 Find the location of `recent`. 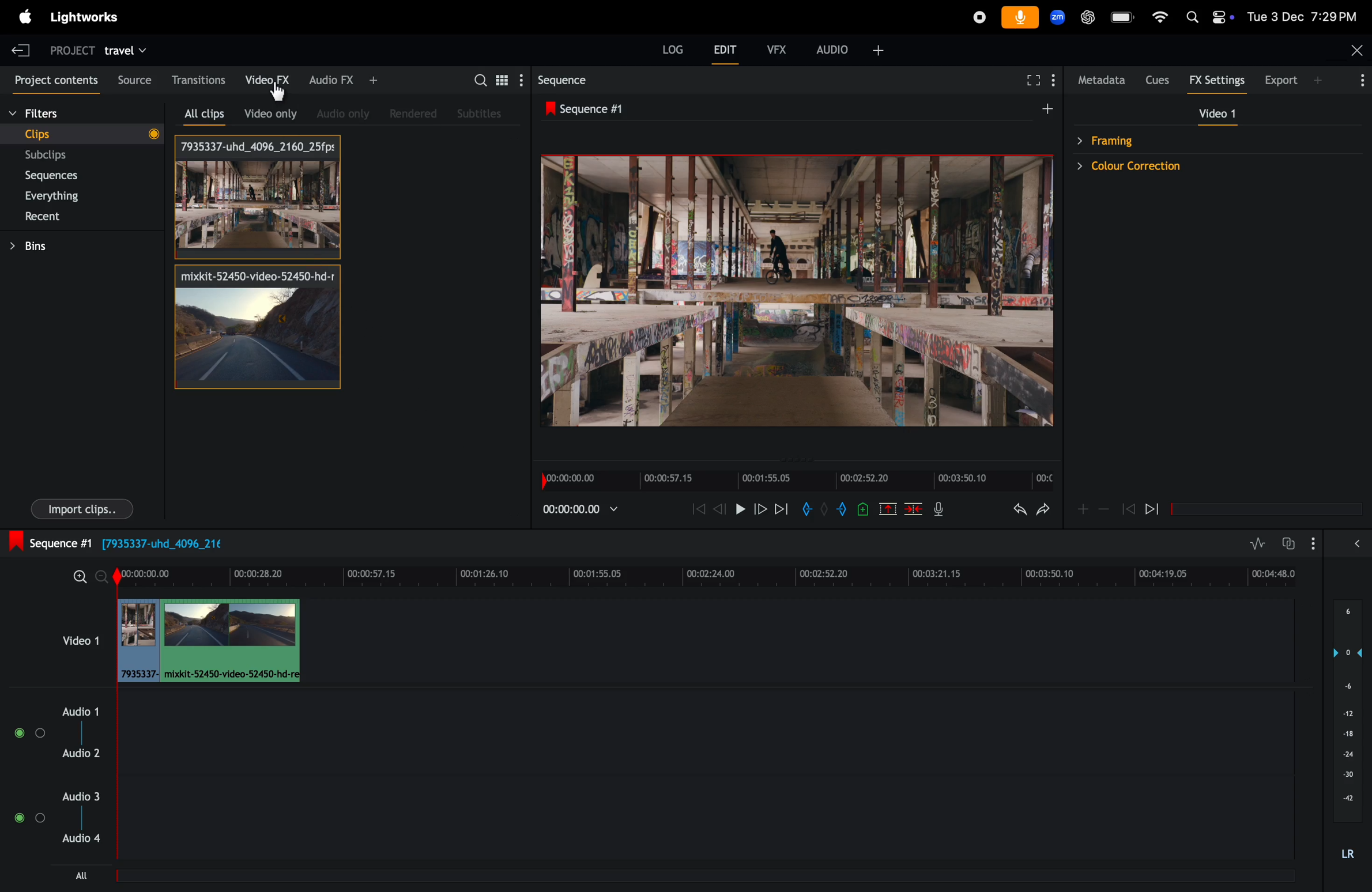

recent is located at coordinates (79, 218).